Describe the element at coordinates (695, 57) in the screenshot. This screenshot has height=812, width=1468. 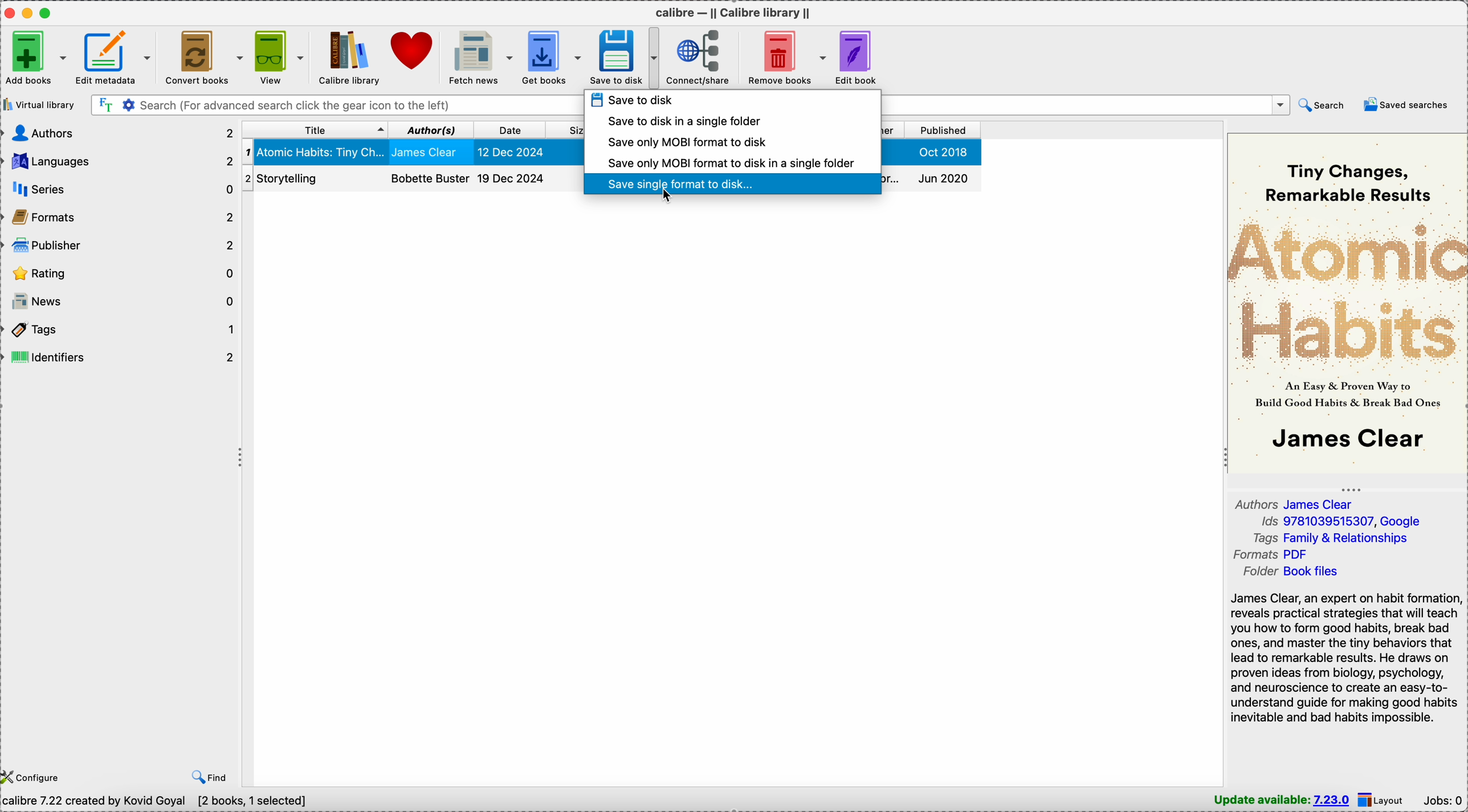
I see `connect/share` at that location.